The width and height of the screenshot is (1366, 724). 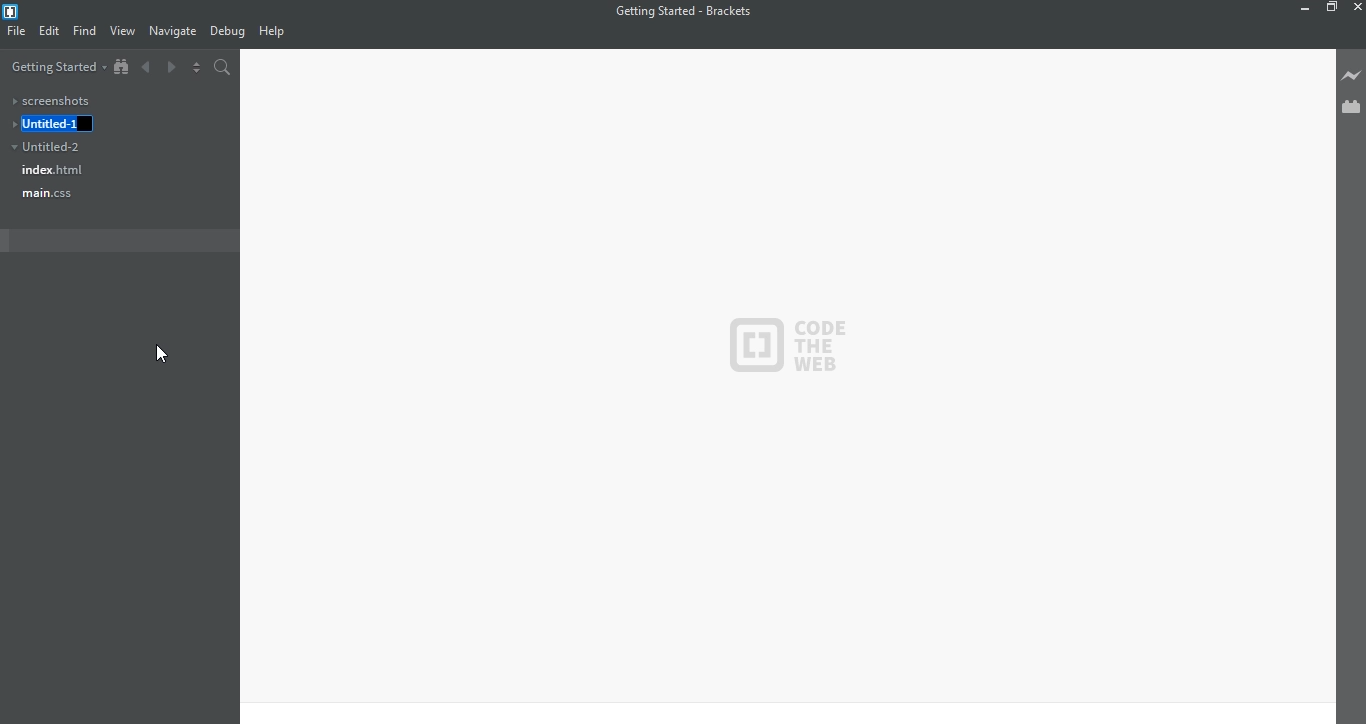 I want to click on index.html, so click(x=57, y=171).